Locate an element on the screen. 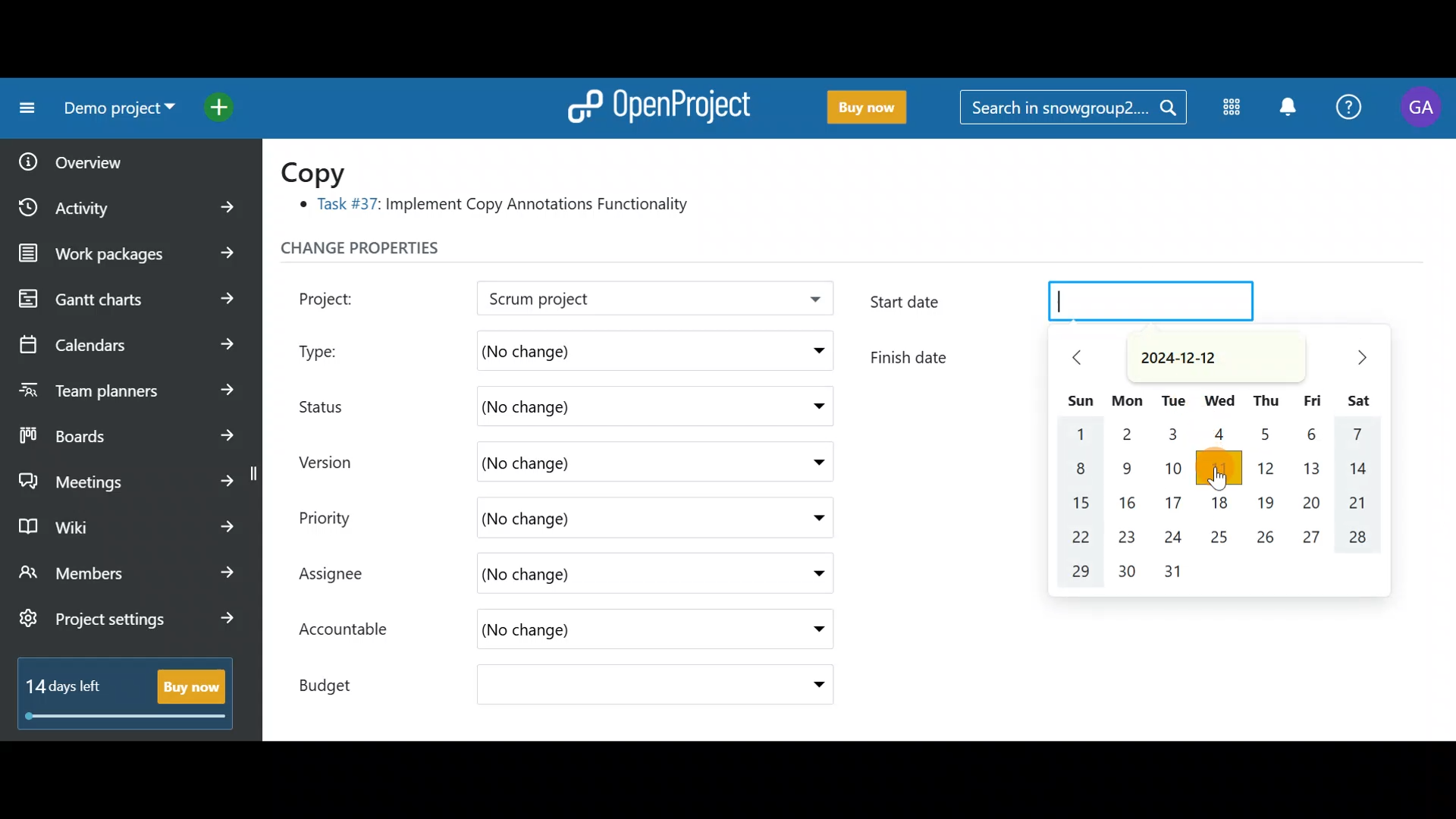  Budget drop down is located at coordinates (809, 685).